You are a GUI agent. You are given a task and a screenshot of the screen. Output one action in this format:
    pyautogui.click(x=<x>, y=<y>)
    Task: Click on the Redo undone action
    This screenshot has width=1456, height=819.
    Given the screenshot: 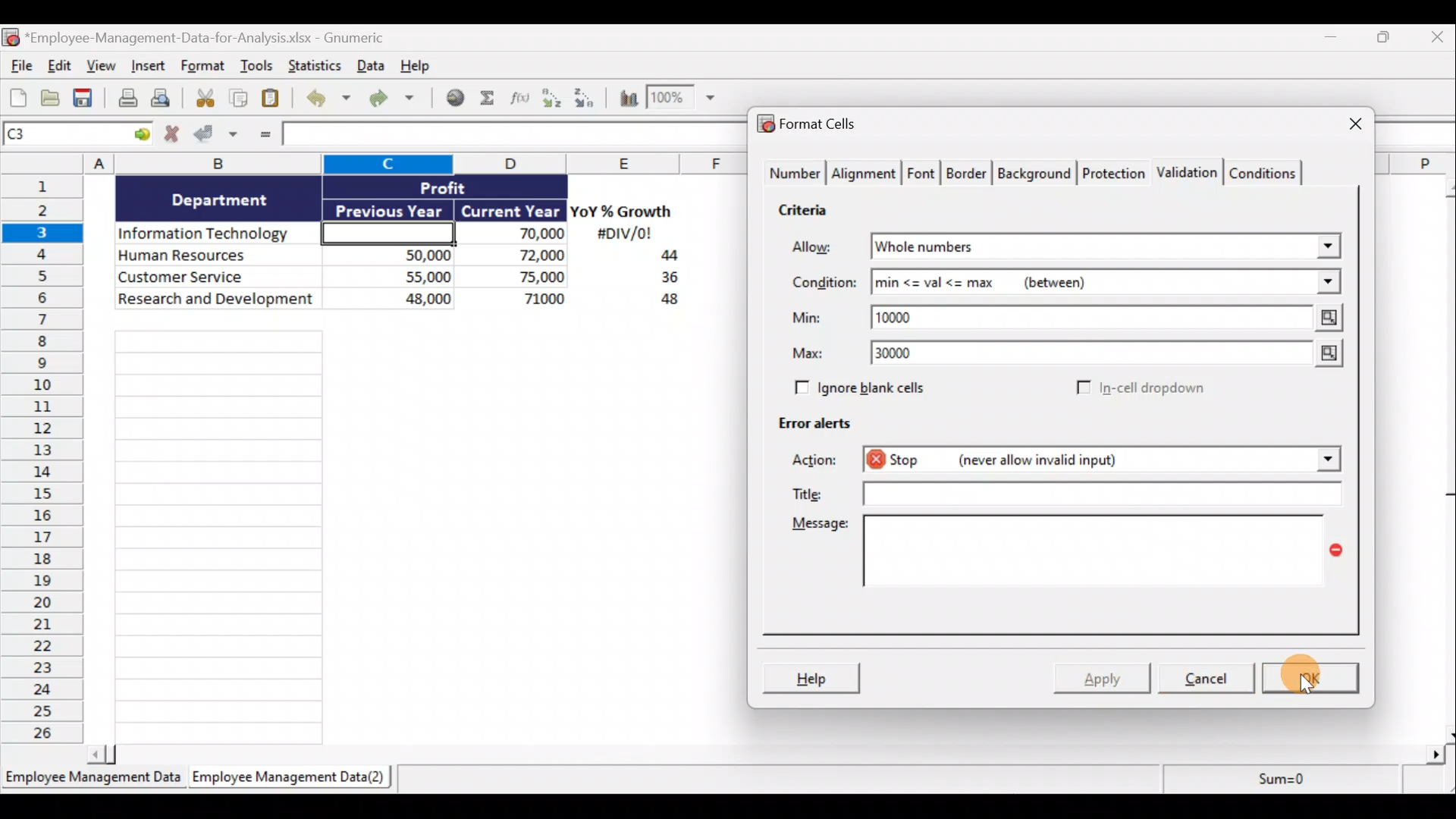 What is the action you would take?
    pyautogui.click(x=398, y=99)
    